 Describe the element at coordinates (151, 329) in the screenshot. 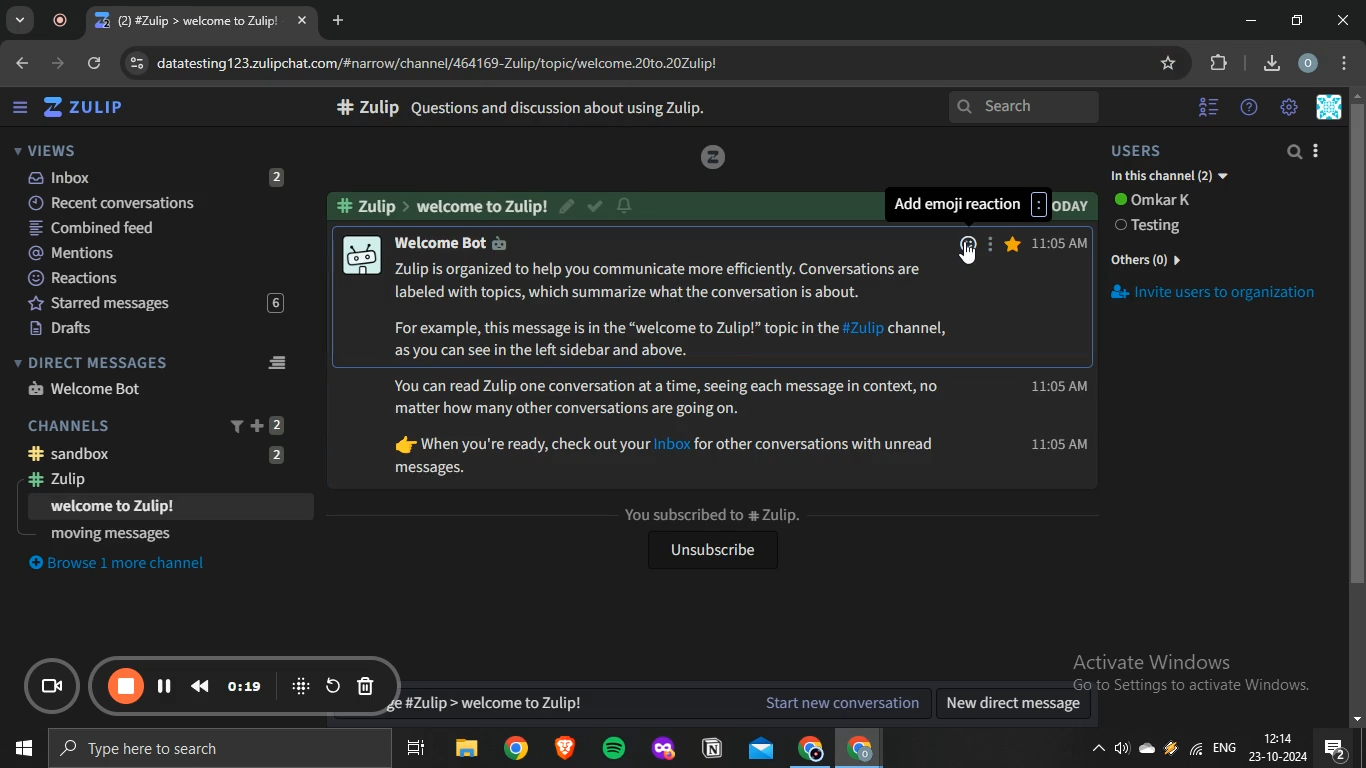

I see `drafts` at that location.